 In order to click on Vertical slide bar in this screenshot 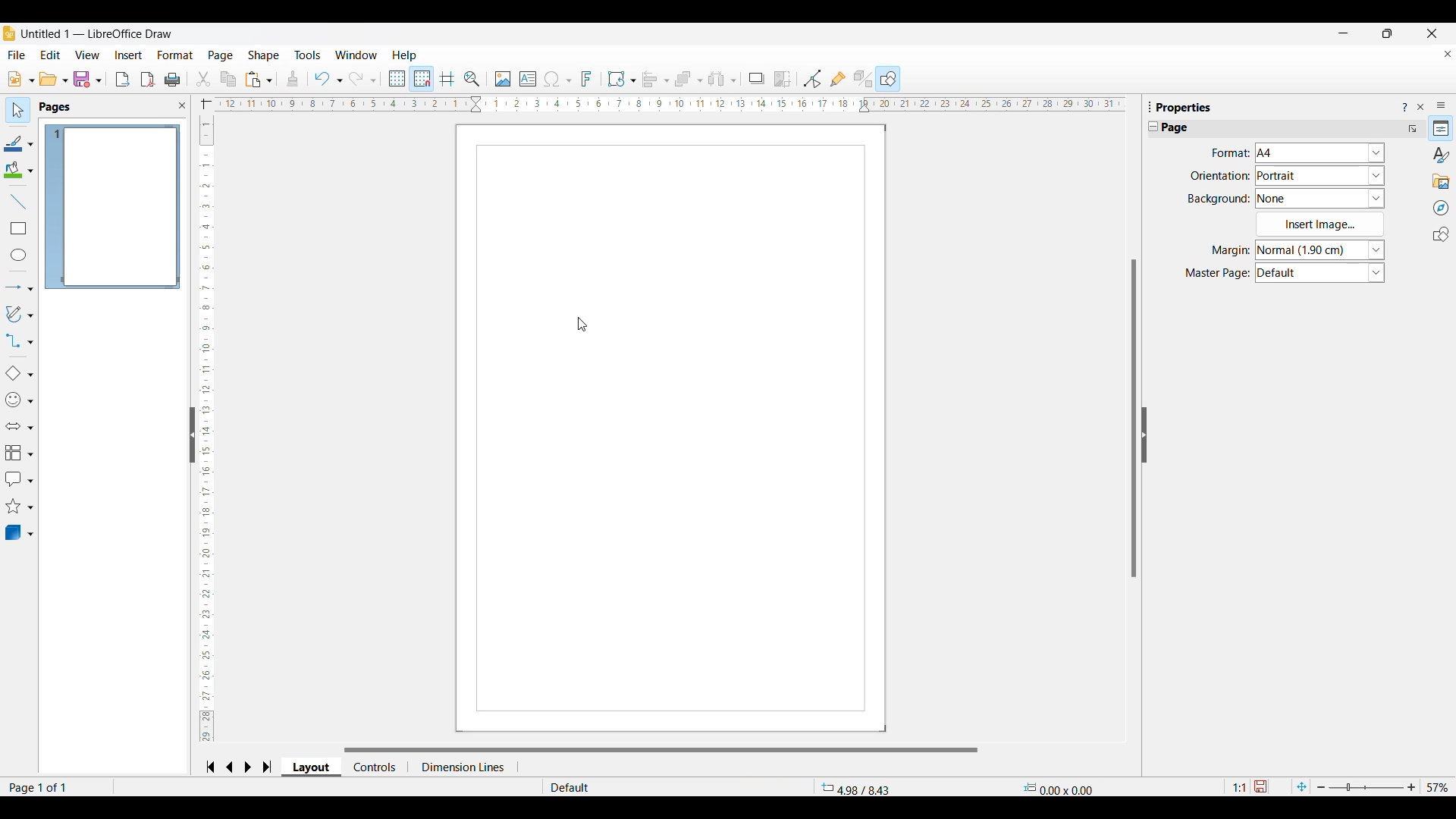, I will do `click(203, 430)`.